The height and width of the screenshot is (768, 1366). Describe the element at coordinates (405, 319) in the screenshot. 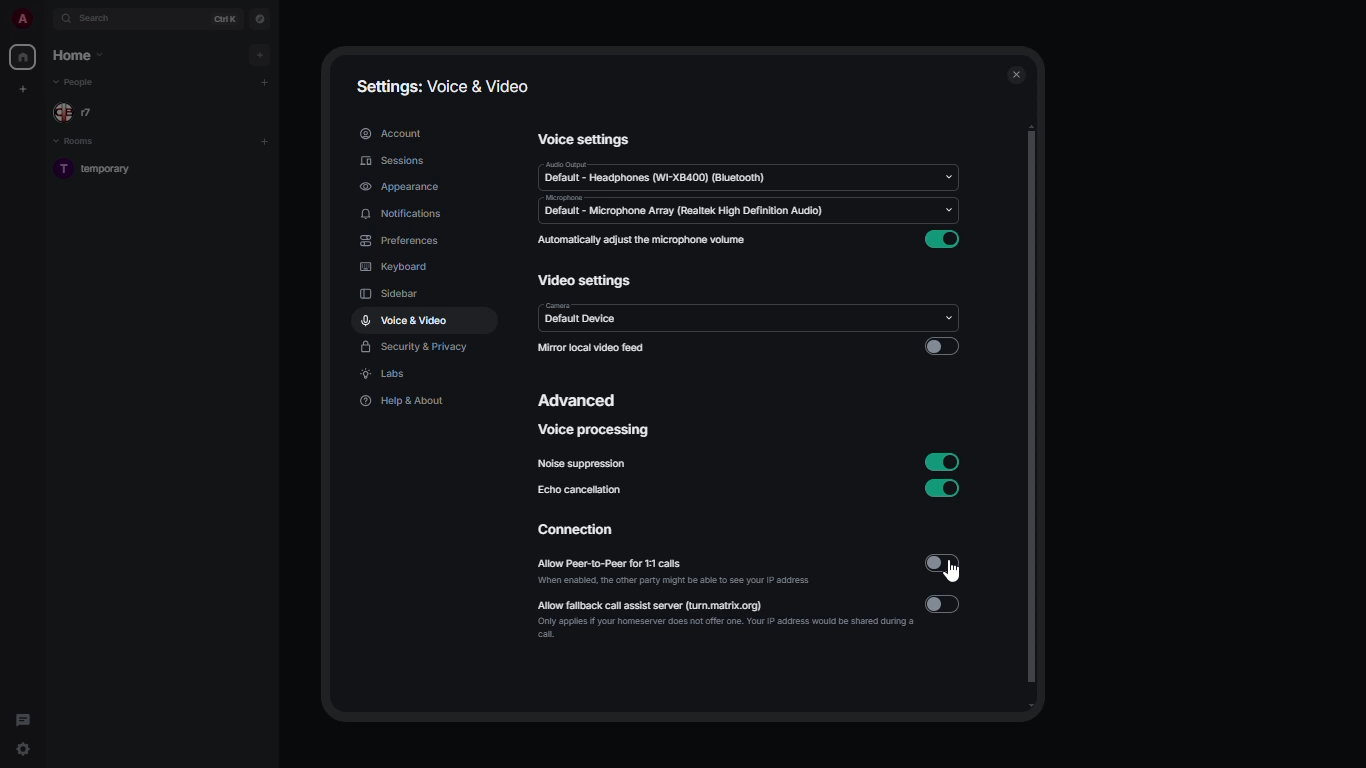

I see `voice & video` at that location.